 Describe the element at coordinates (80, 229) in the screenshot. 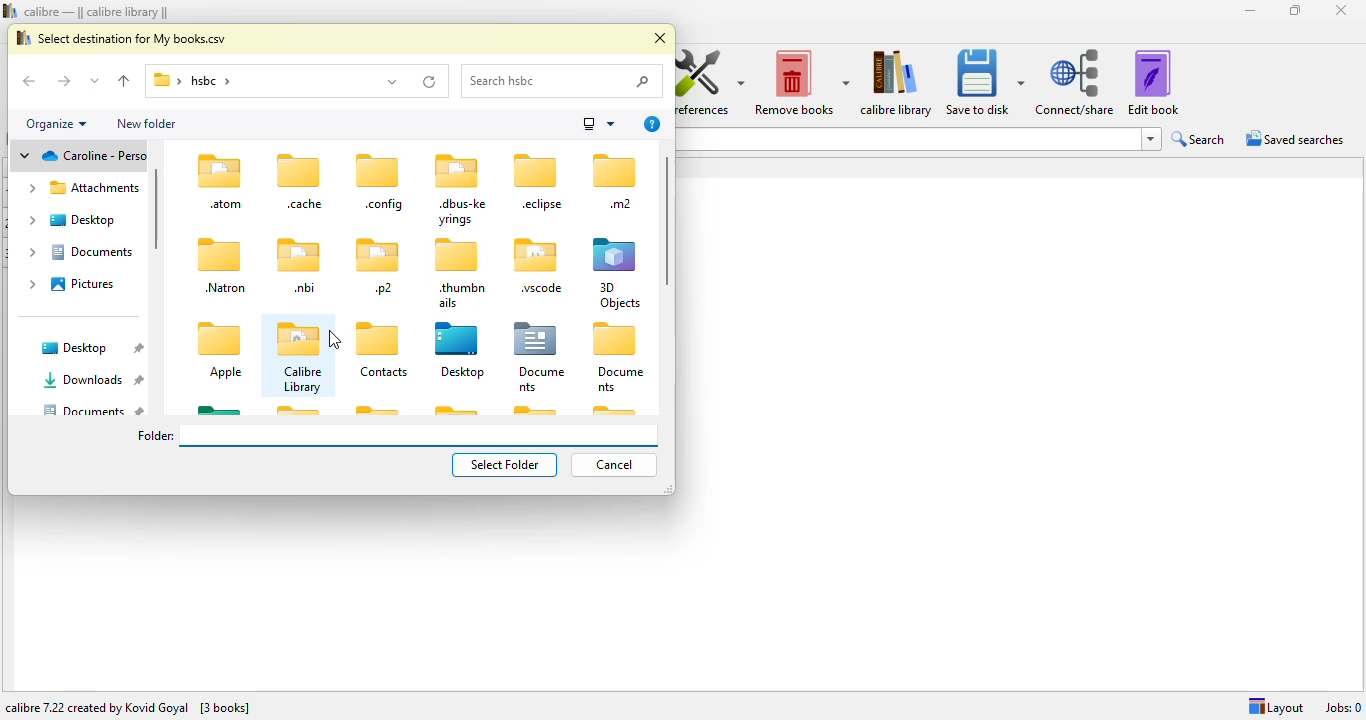

I see `folders` at that location.